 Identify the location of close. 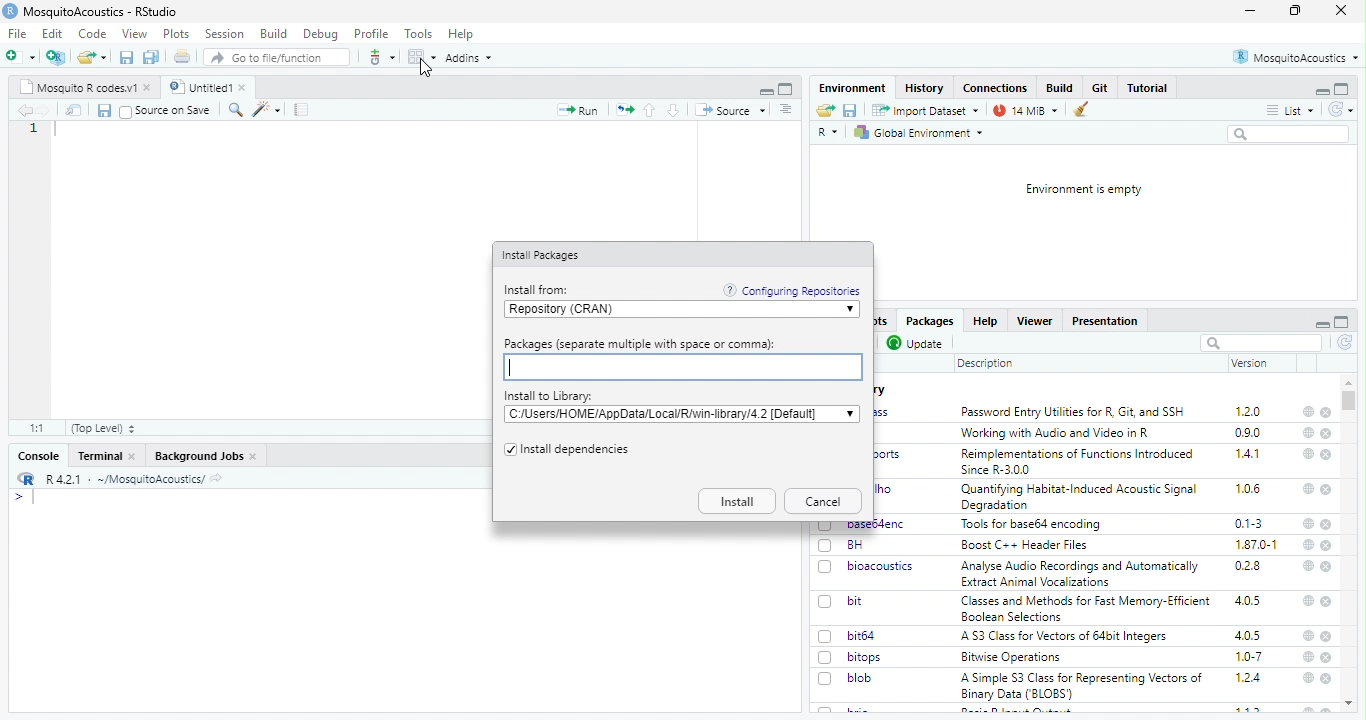
(1327, 491).